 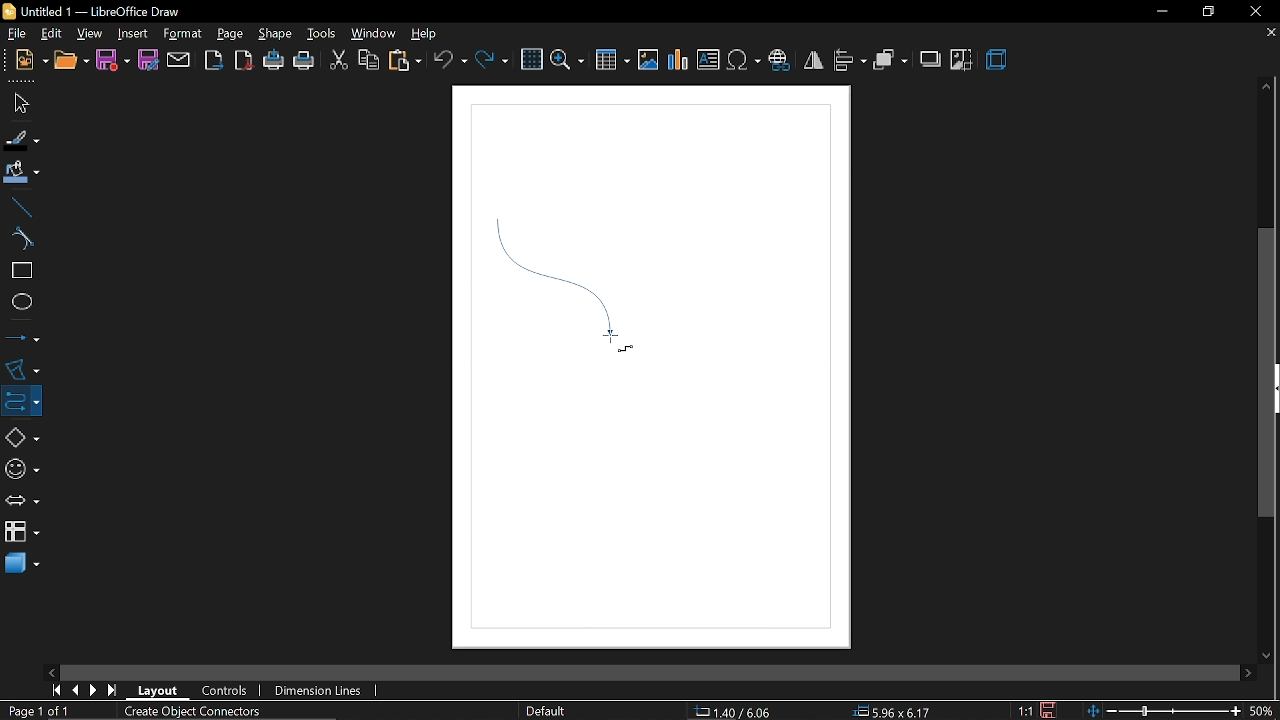 I want to click on flip, so click(x=812, y=61).